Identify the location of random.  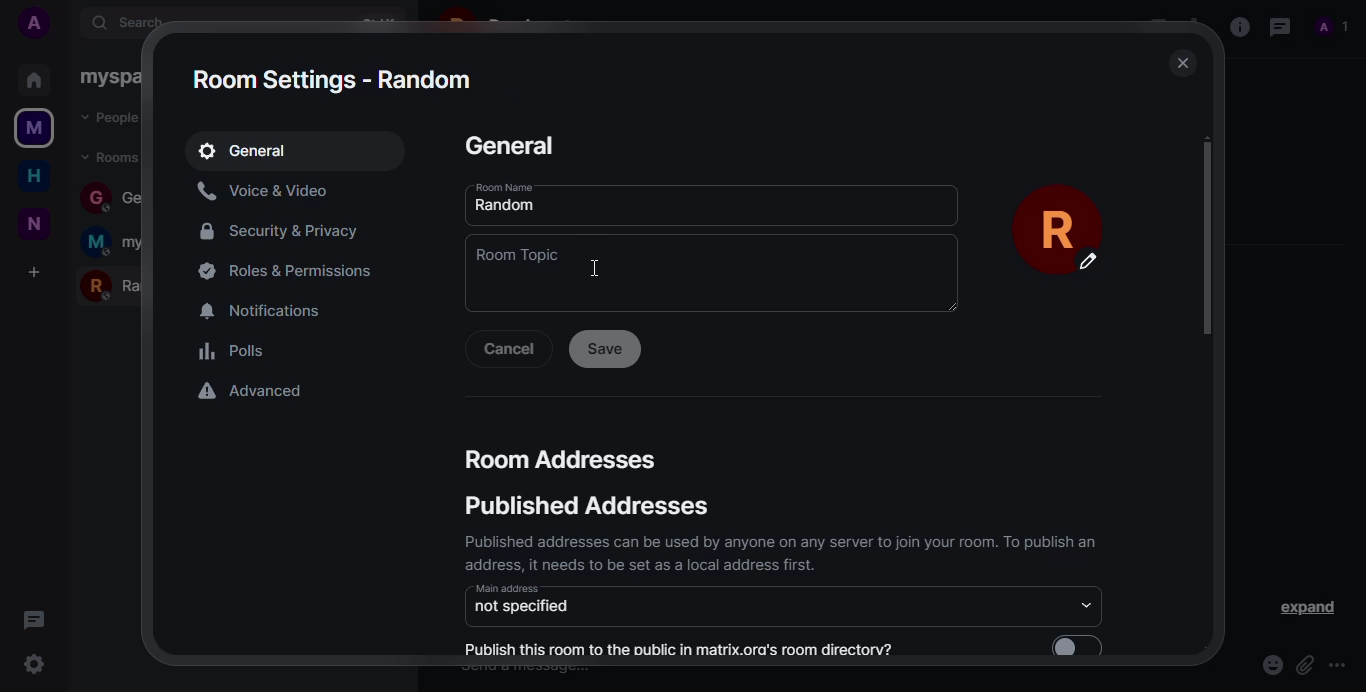
(507, 206).